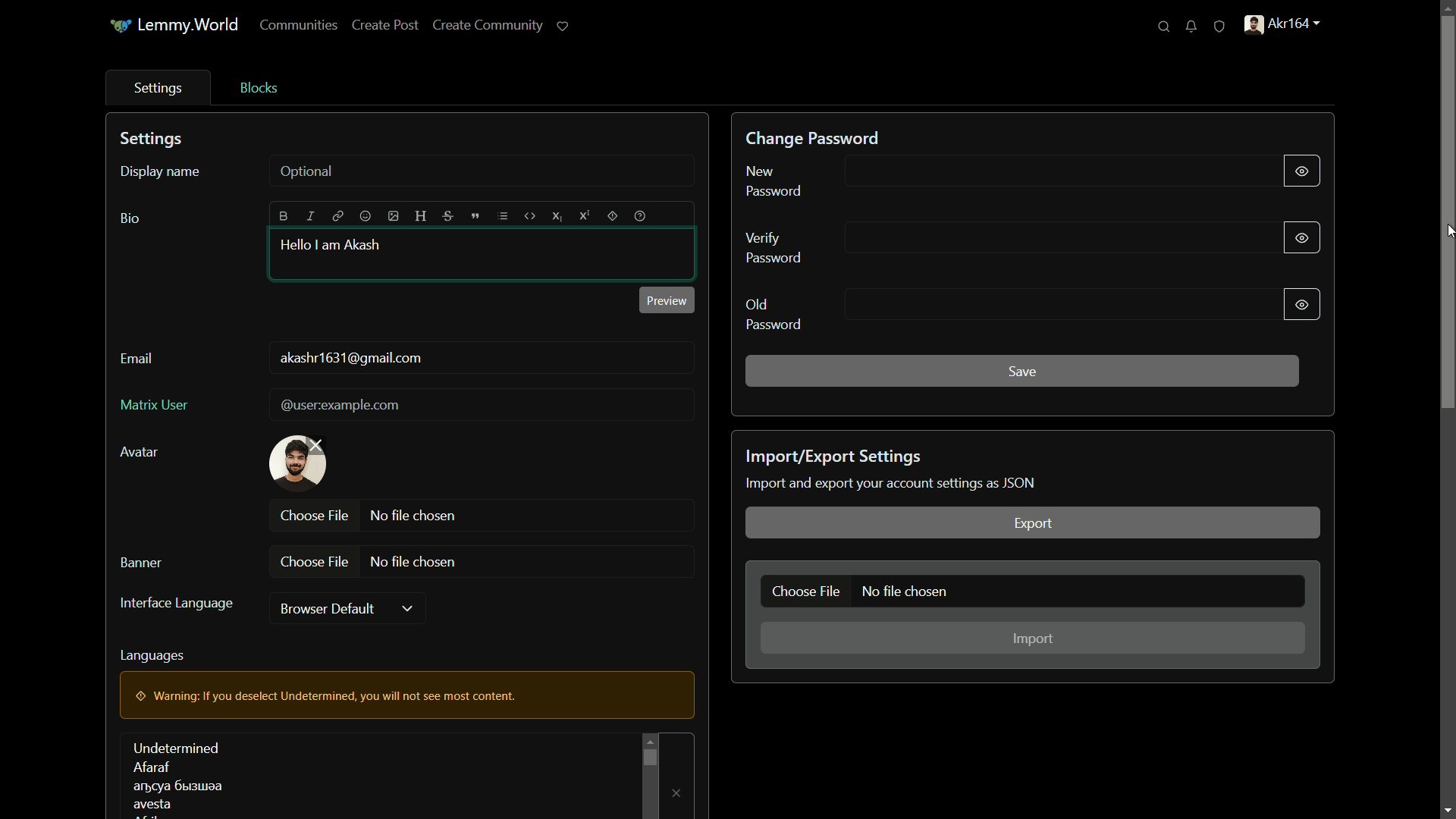 This screenshot has height=819, width=1456. Describe the element at coordinates (1191, 26) in the screenshot. I see `unread notifications` at that location.